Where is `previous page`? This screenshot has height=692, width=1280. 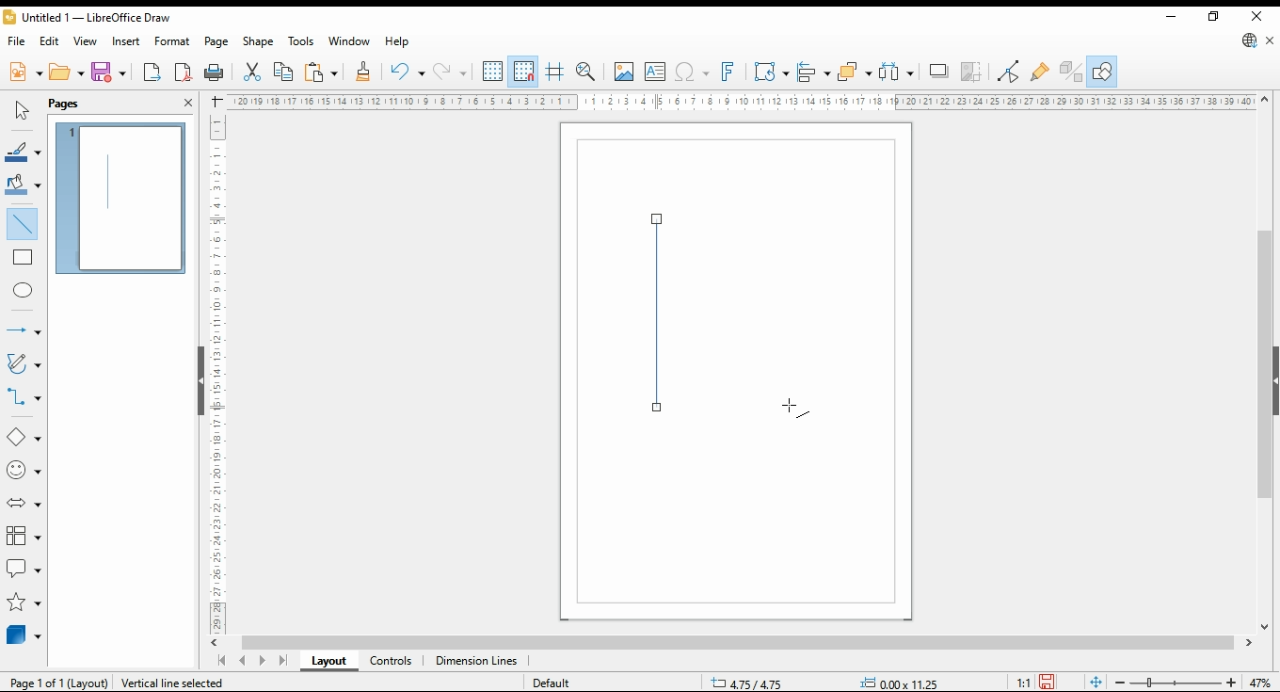 previous page is located at coordinates (242, 662).